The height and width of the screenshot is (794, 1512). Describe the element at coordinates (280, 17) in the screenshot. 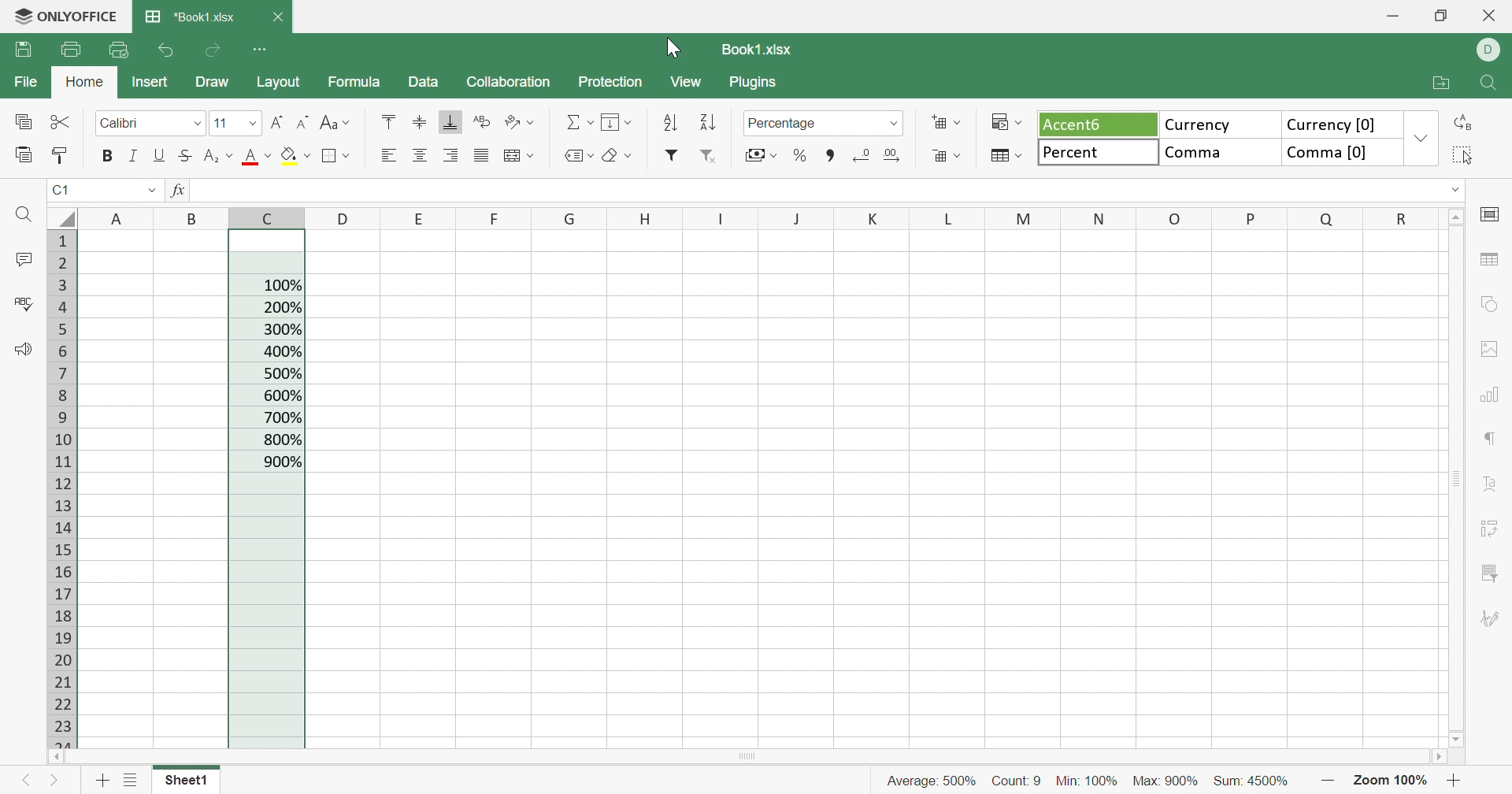

I see `Close` at that location.